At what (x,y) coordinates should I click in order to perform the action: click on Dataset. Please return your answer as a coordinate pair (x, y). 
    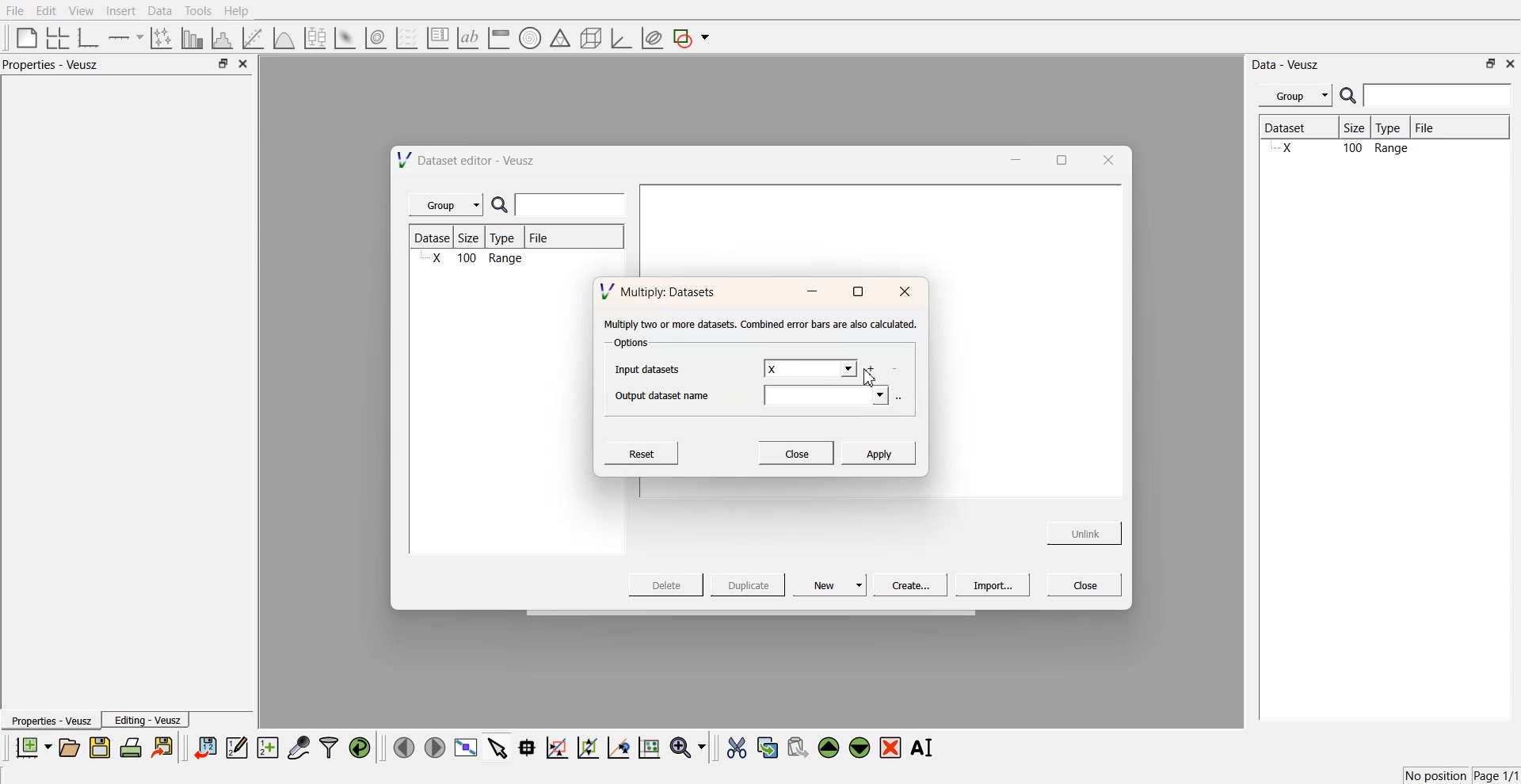
    Looking at the image, I should click on (434, 238).